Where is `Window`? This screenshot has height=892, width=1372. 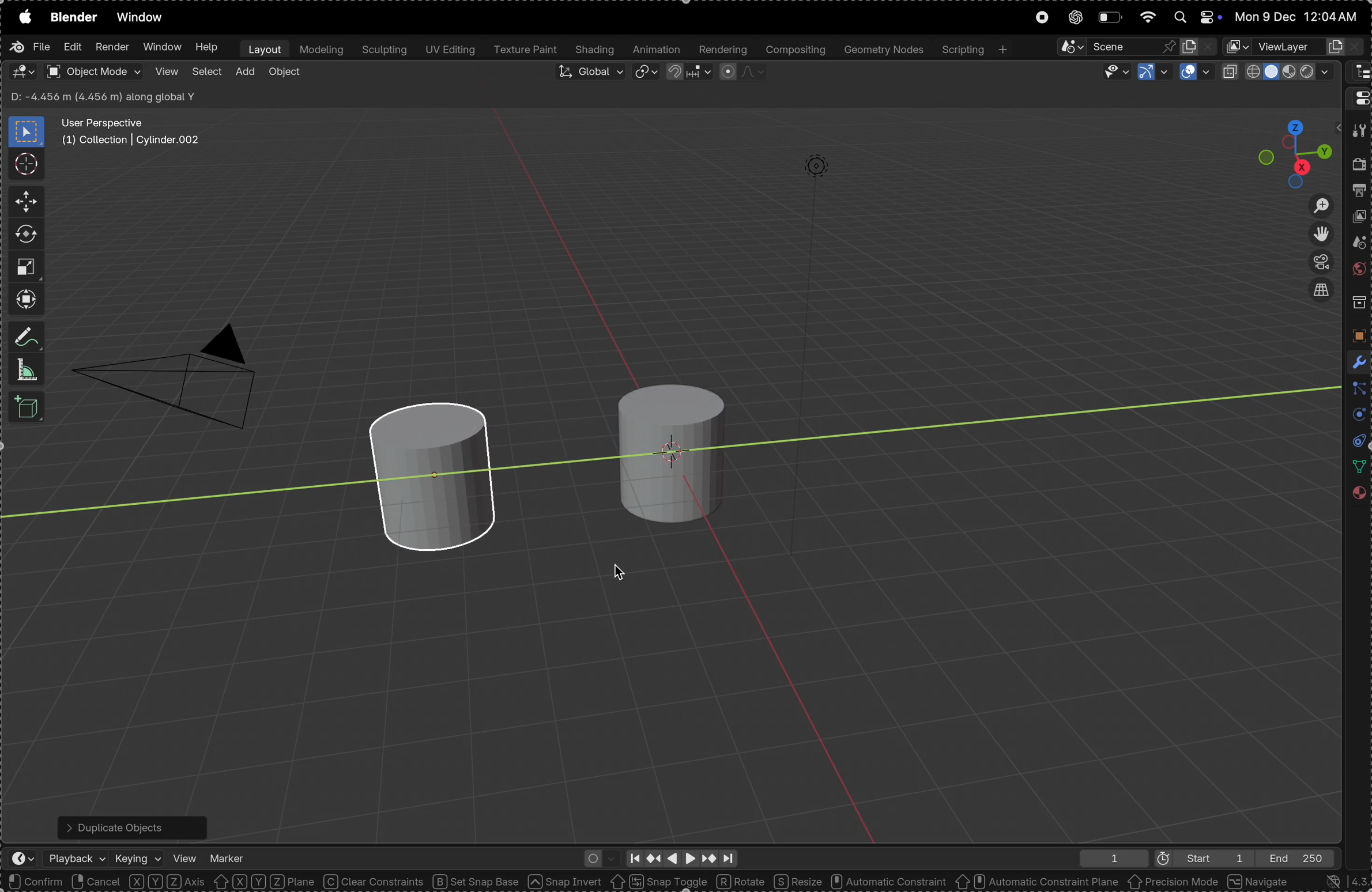
Window is located at coordinates (161, 48).